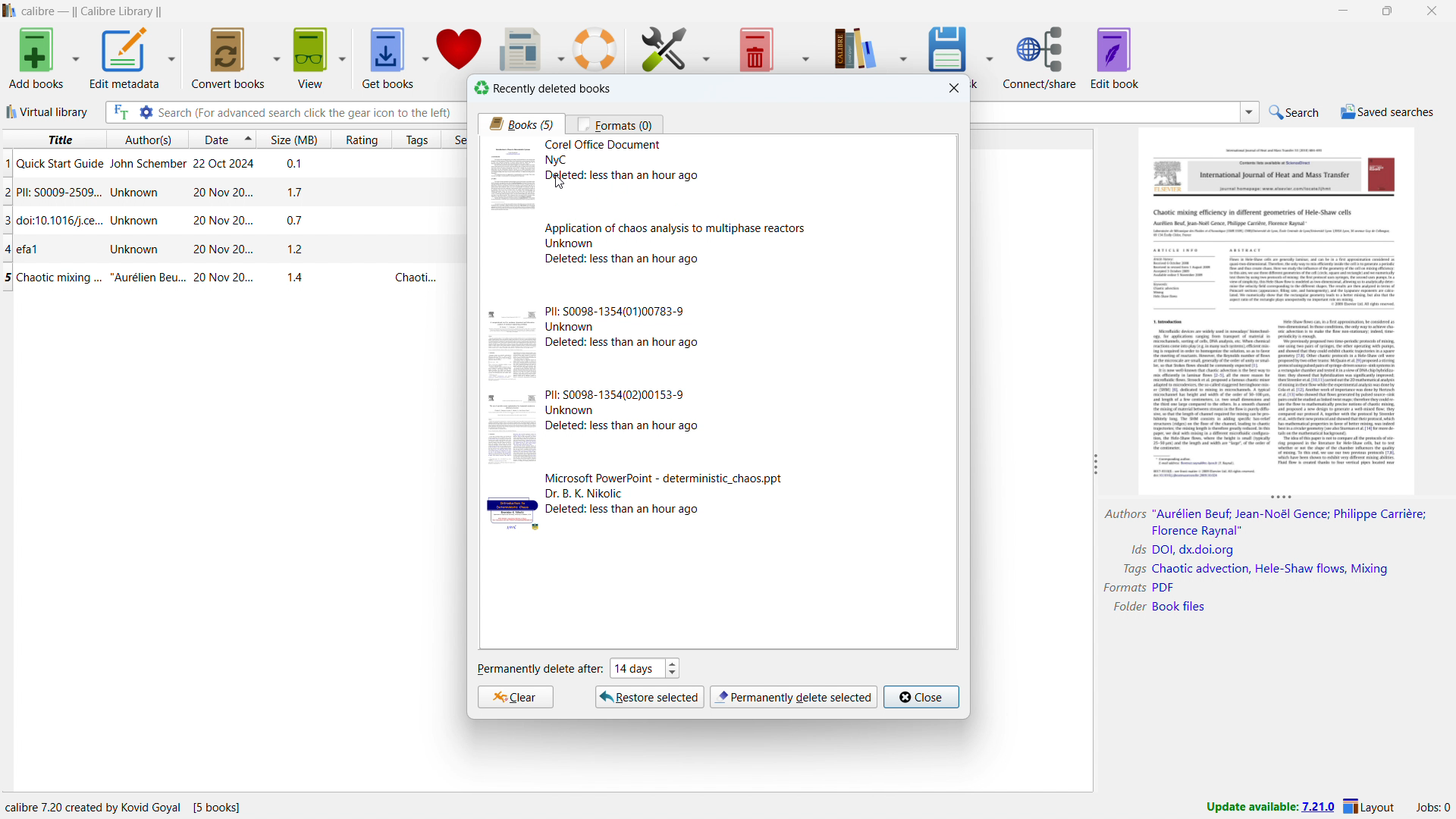 This screenshot has width=1456, height=819. What do you see at coordinates (718, 260) in the screenshot?
I see `one deleted book` at bounding box center [718, 260].